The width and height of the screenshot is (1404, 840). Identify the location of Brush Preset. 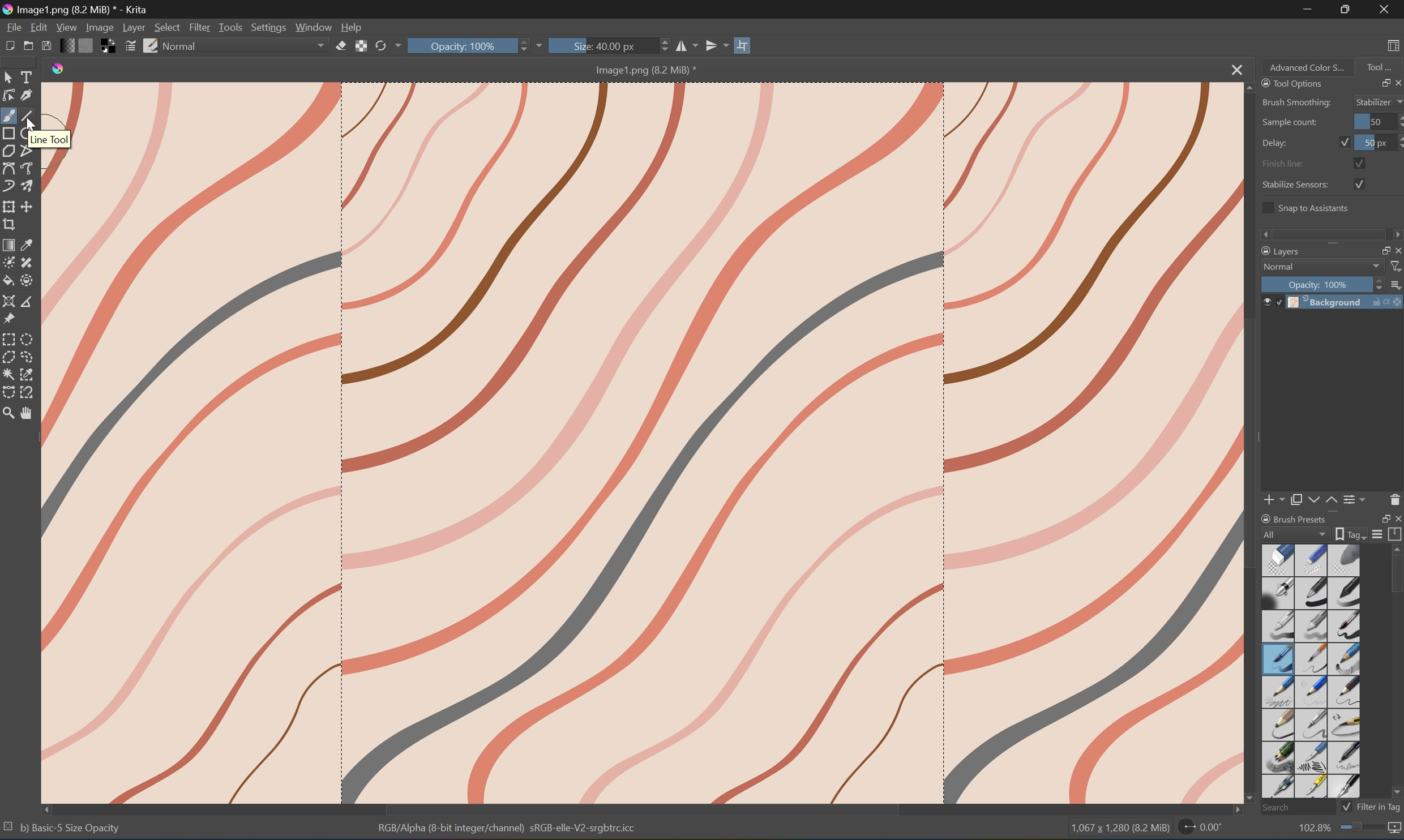
(1294, 517).